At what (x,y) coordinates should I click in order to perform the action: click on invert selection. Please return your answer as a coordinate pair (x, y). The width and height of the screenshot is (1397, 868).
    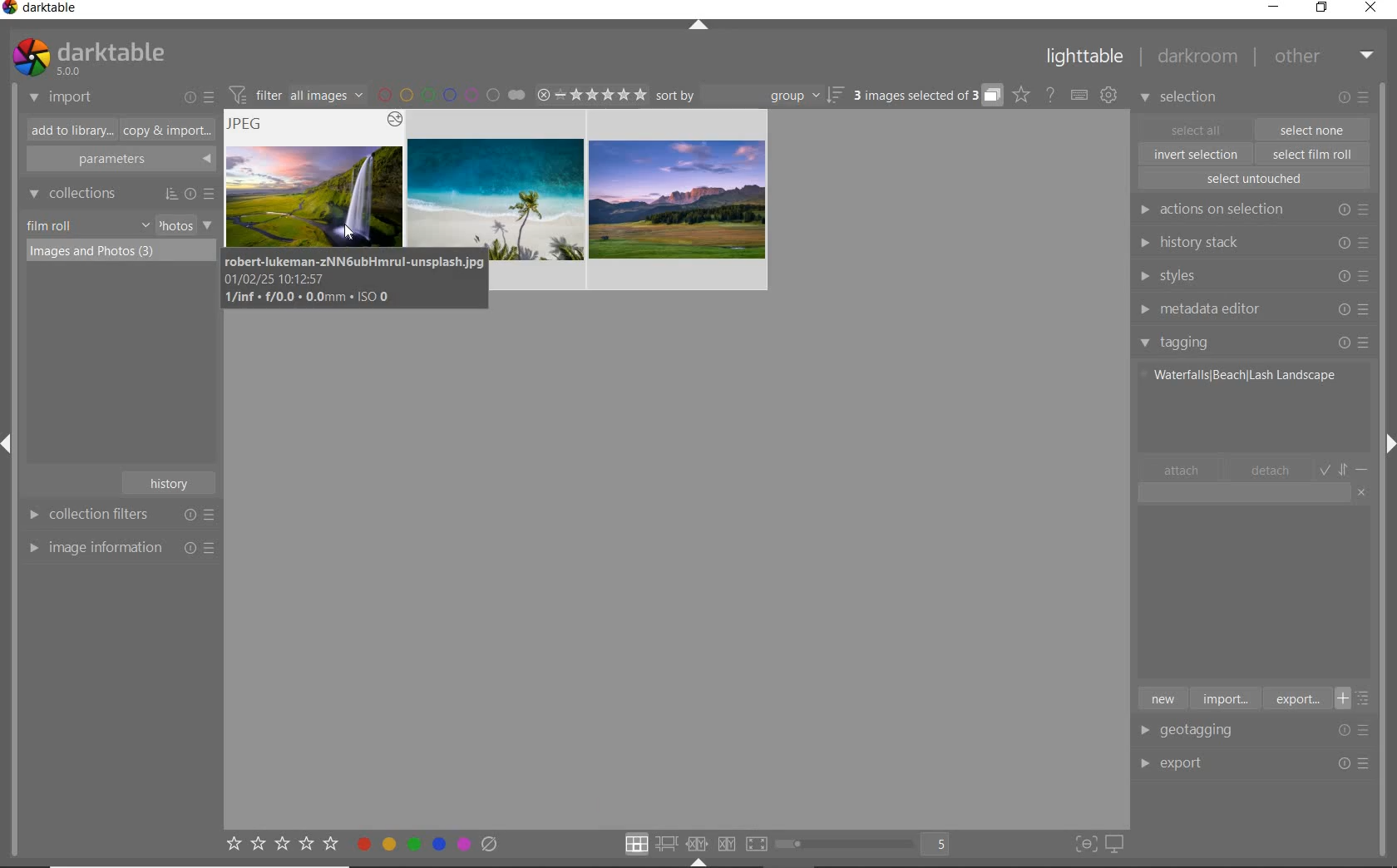
    Looking at the image, I should click on (1197, 154).